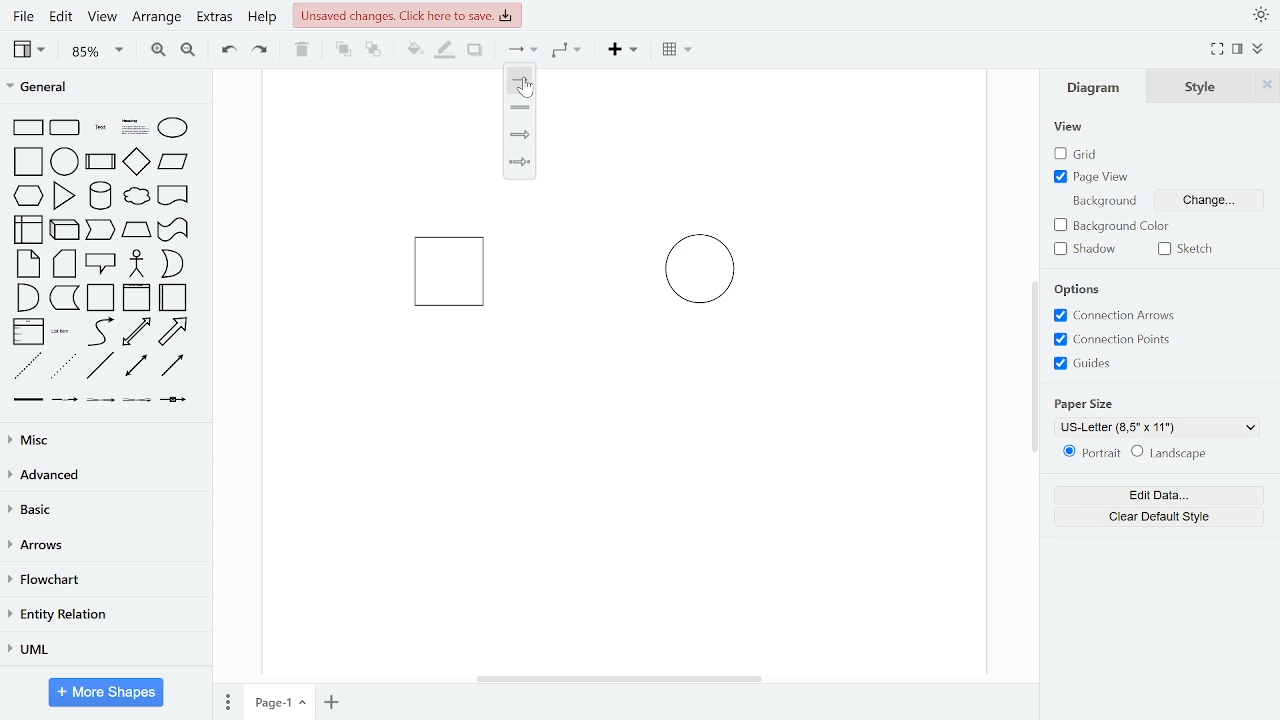 The height and width of the screenshot is (720, 1280). What do you see at coordinates (136, 298) in the screenshot?
I see `vertical container` at bounding box center [136, 298].